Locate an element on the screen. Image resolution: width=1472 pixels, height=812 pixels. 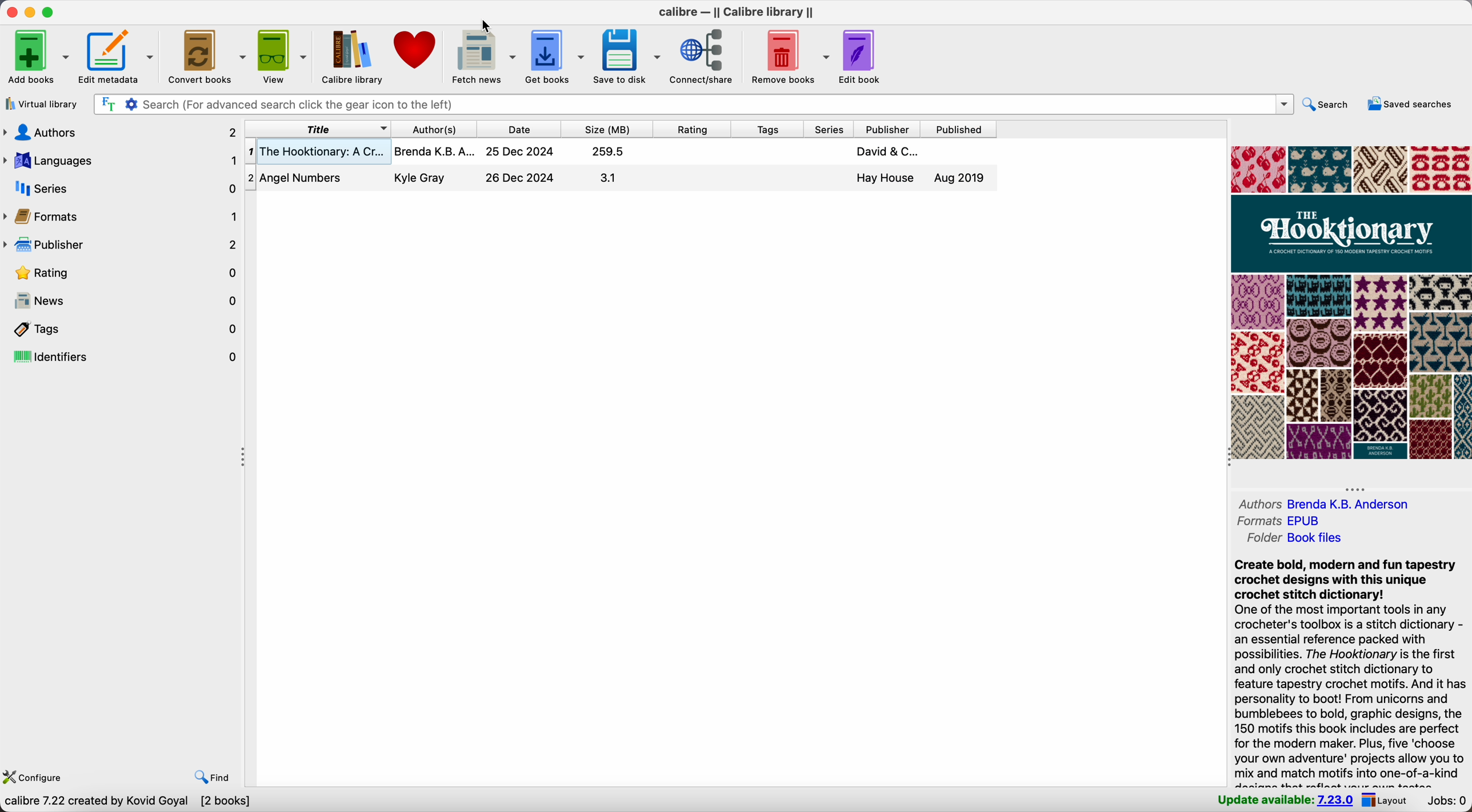
authors is located at coordinates (1327, 504).